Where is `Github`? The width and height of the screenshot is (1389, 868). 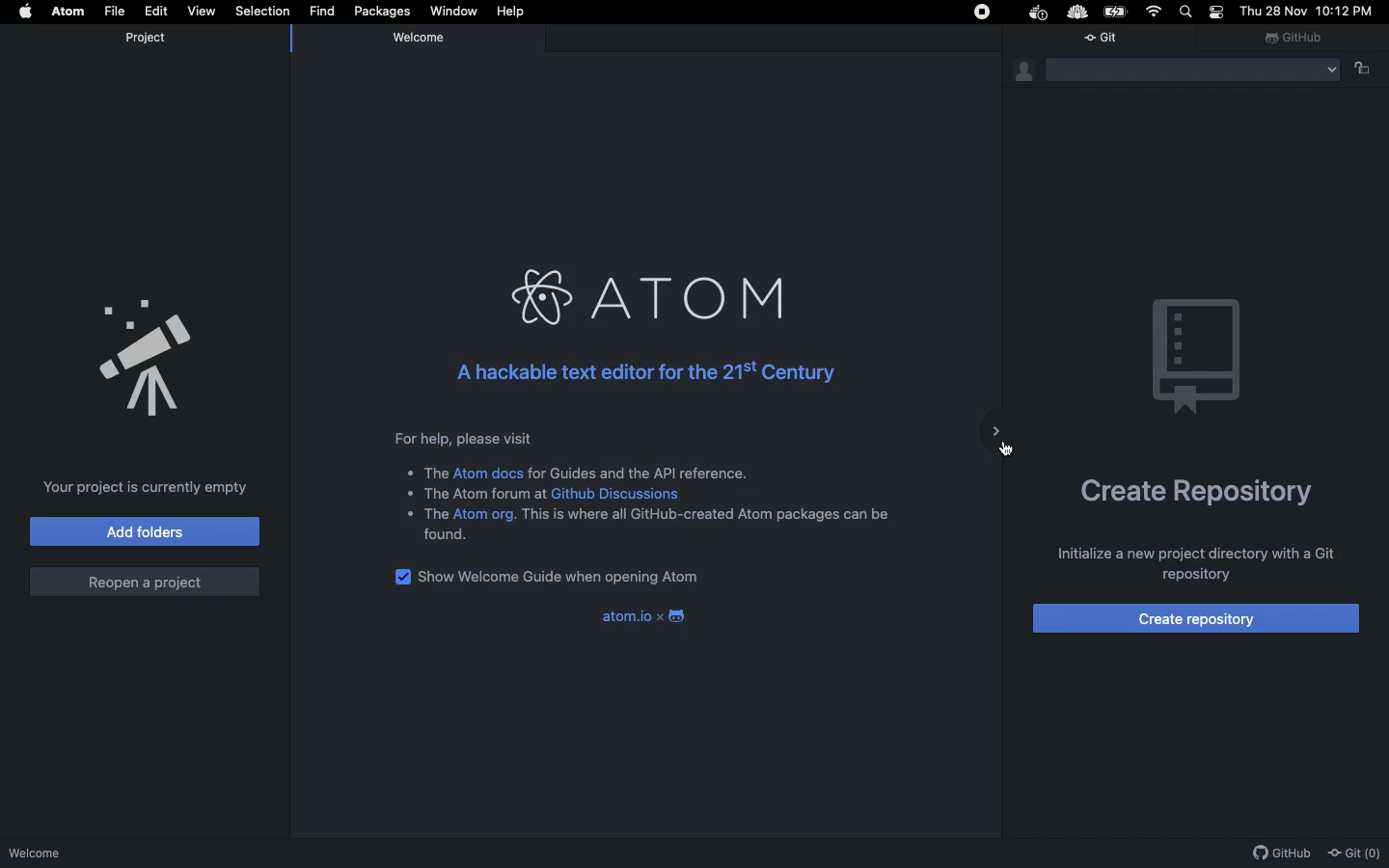 Github is located at coordinates (1296, 38).